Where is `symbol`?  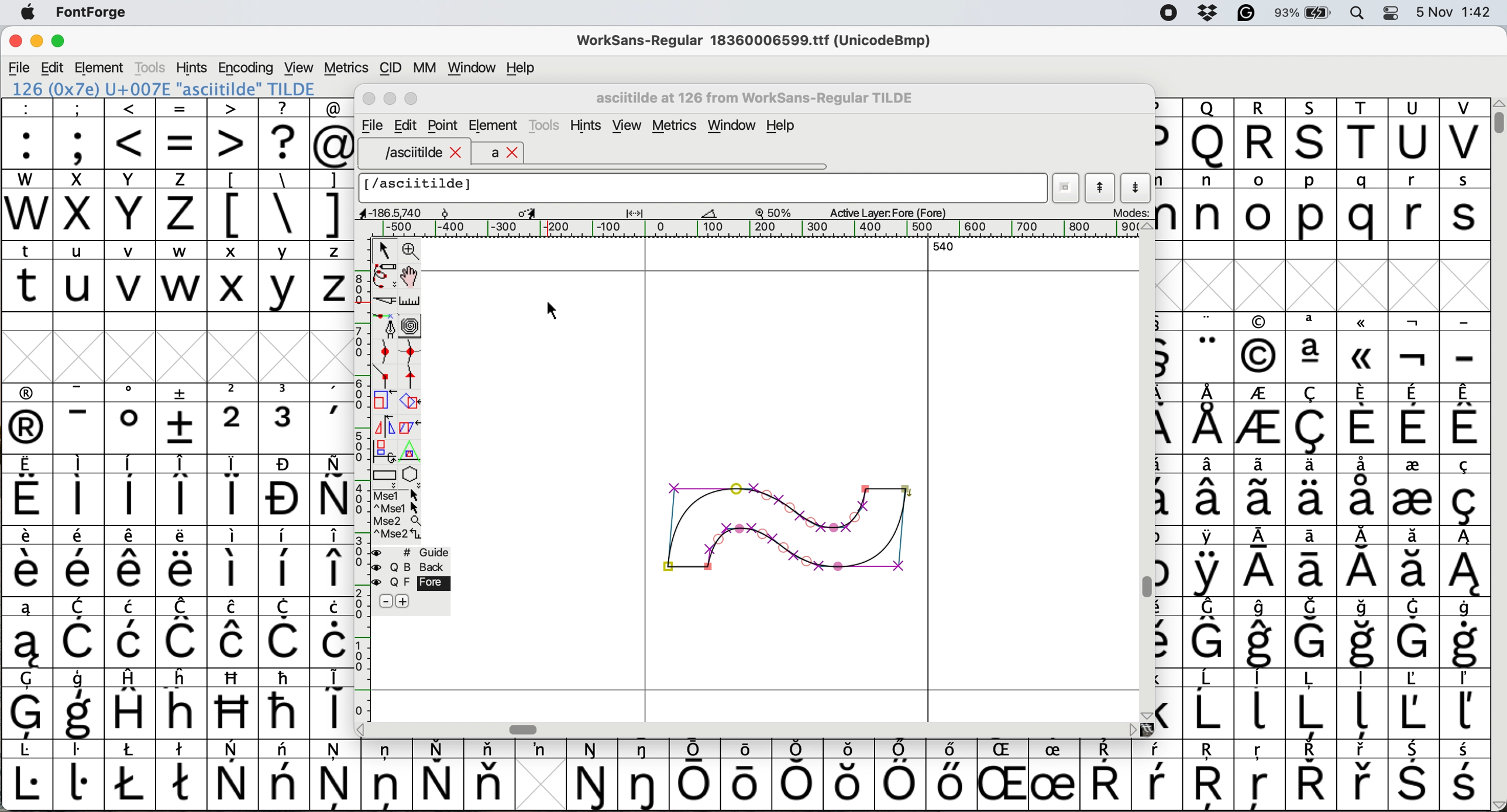
symbol is located at coordinates (1466, 776).